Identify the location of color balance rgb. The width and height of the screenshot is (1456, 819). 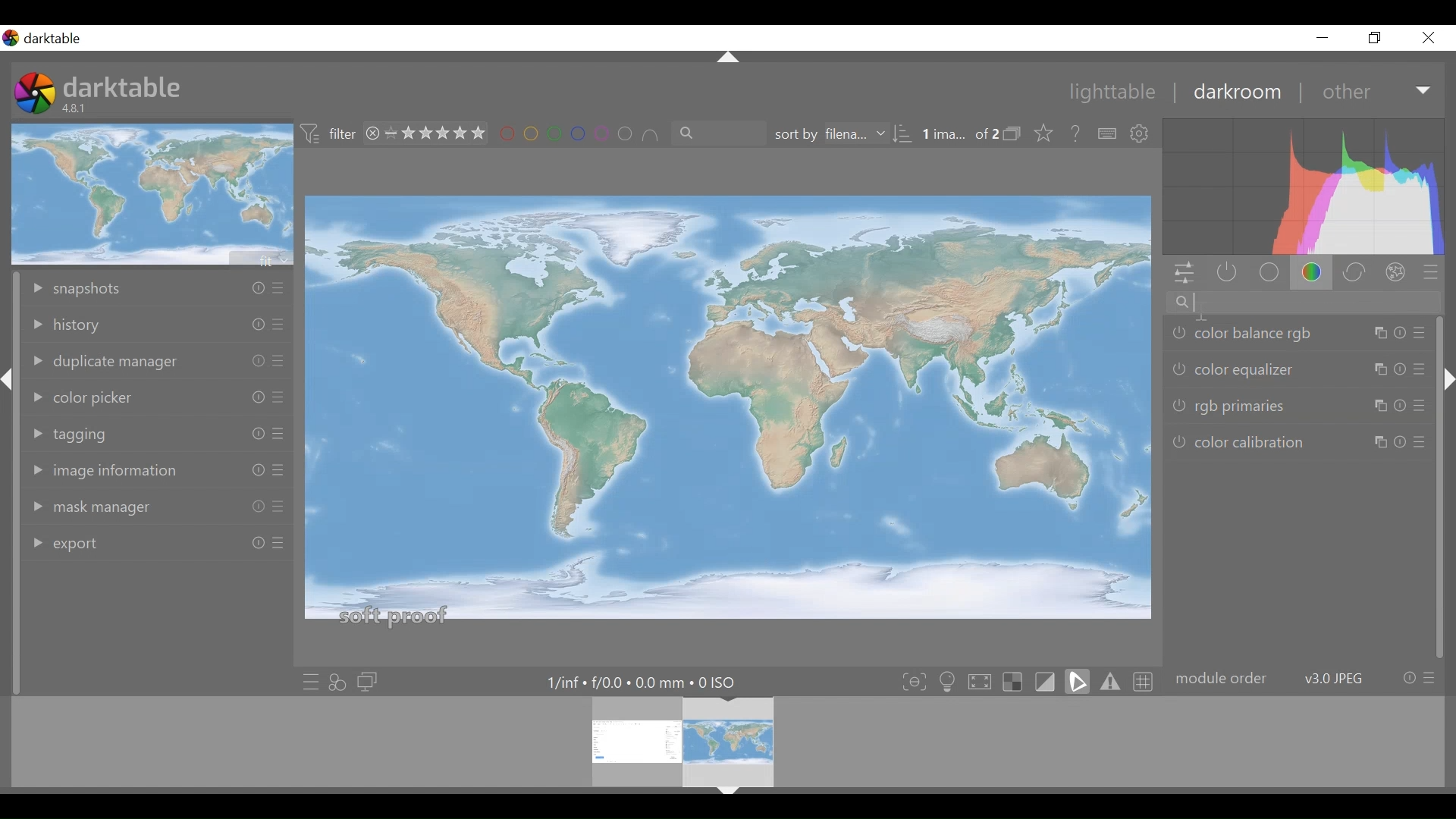
(1244, 336).